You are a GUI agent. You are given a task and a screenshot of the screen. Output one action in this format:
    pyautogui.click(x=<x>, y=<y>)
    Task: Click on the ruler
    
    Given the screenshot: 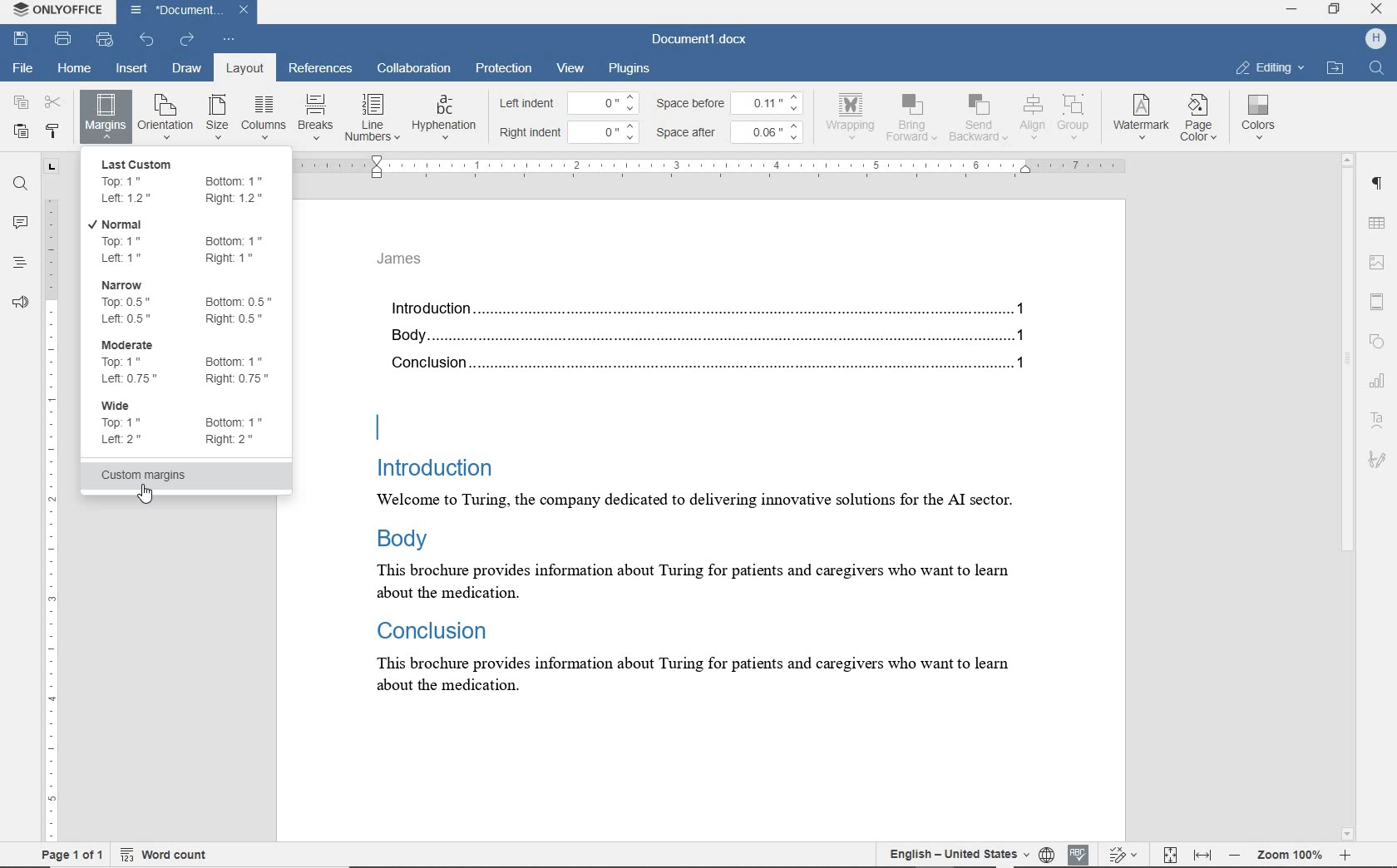 What is the action you would take?
    pyautogui.click(x=51, y=499)
    